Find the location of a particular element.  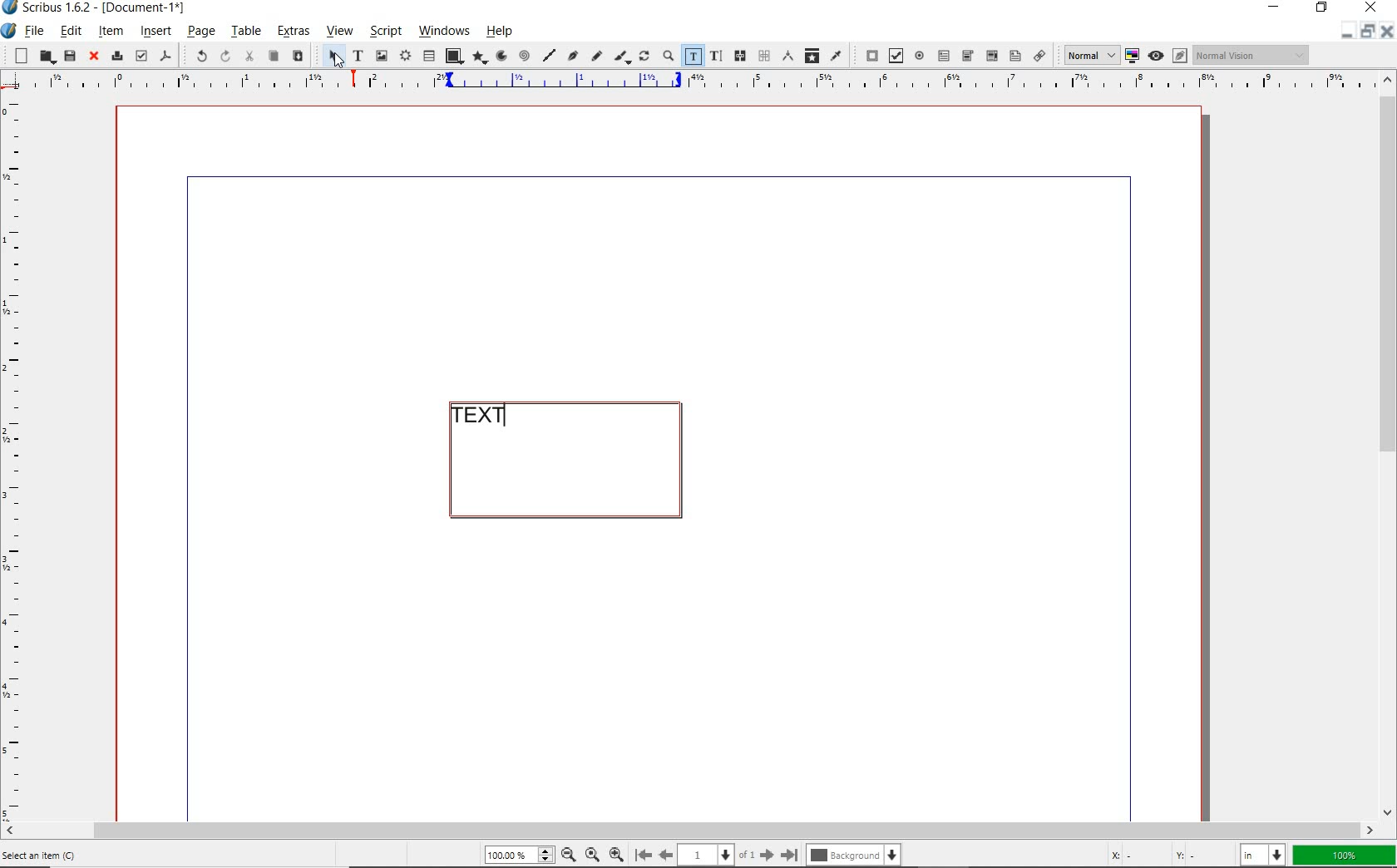

preflight verifier is located at coordinates (141, 55).